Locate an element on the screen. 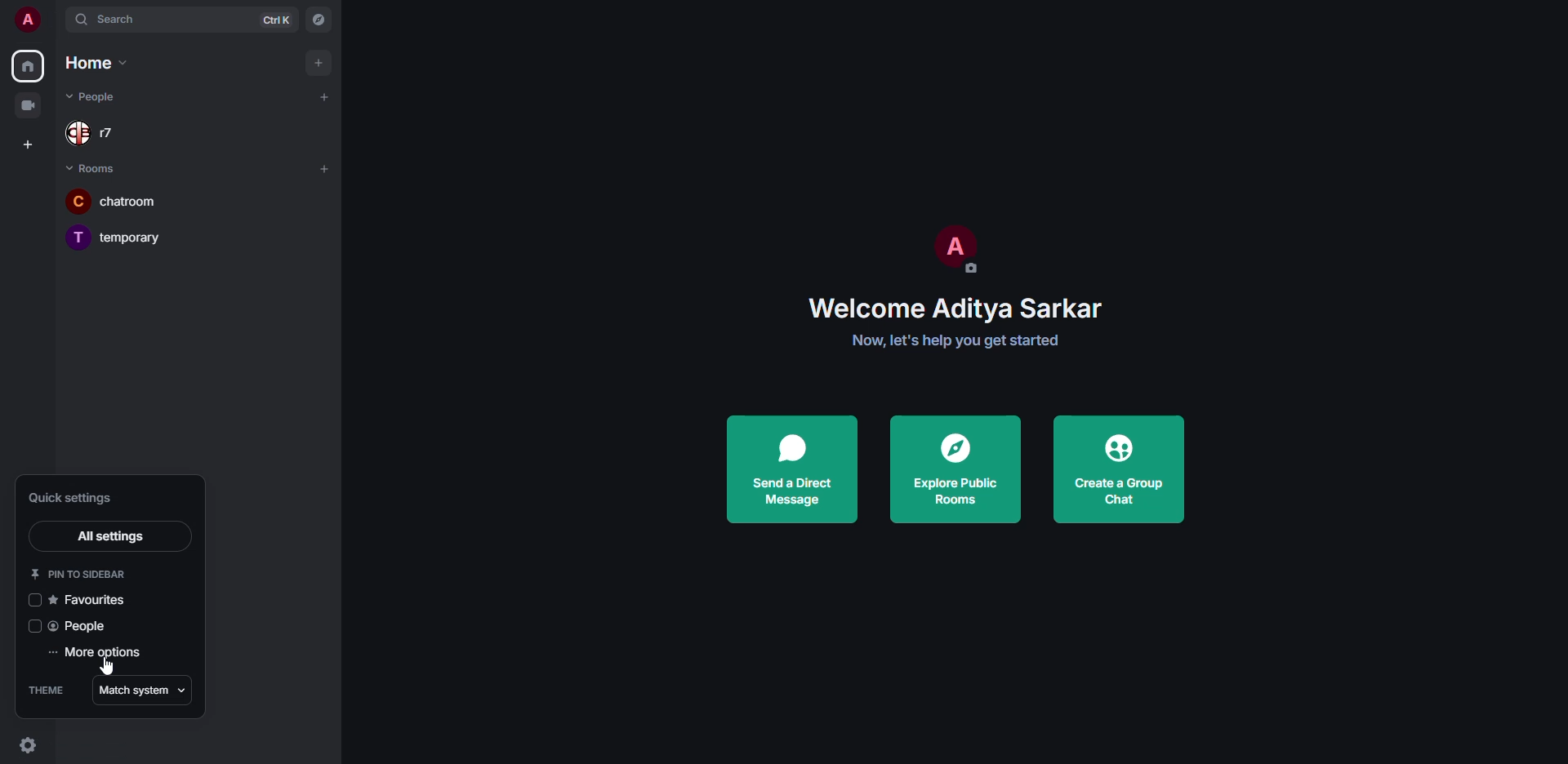 The height and width of the screenshot is (764, 1568). room is located at coordinates (125, 234).